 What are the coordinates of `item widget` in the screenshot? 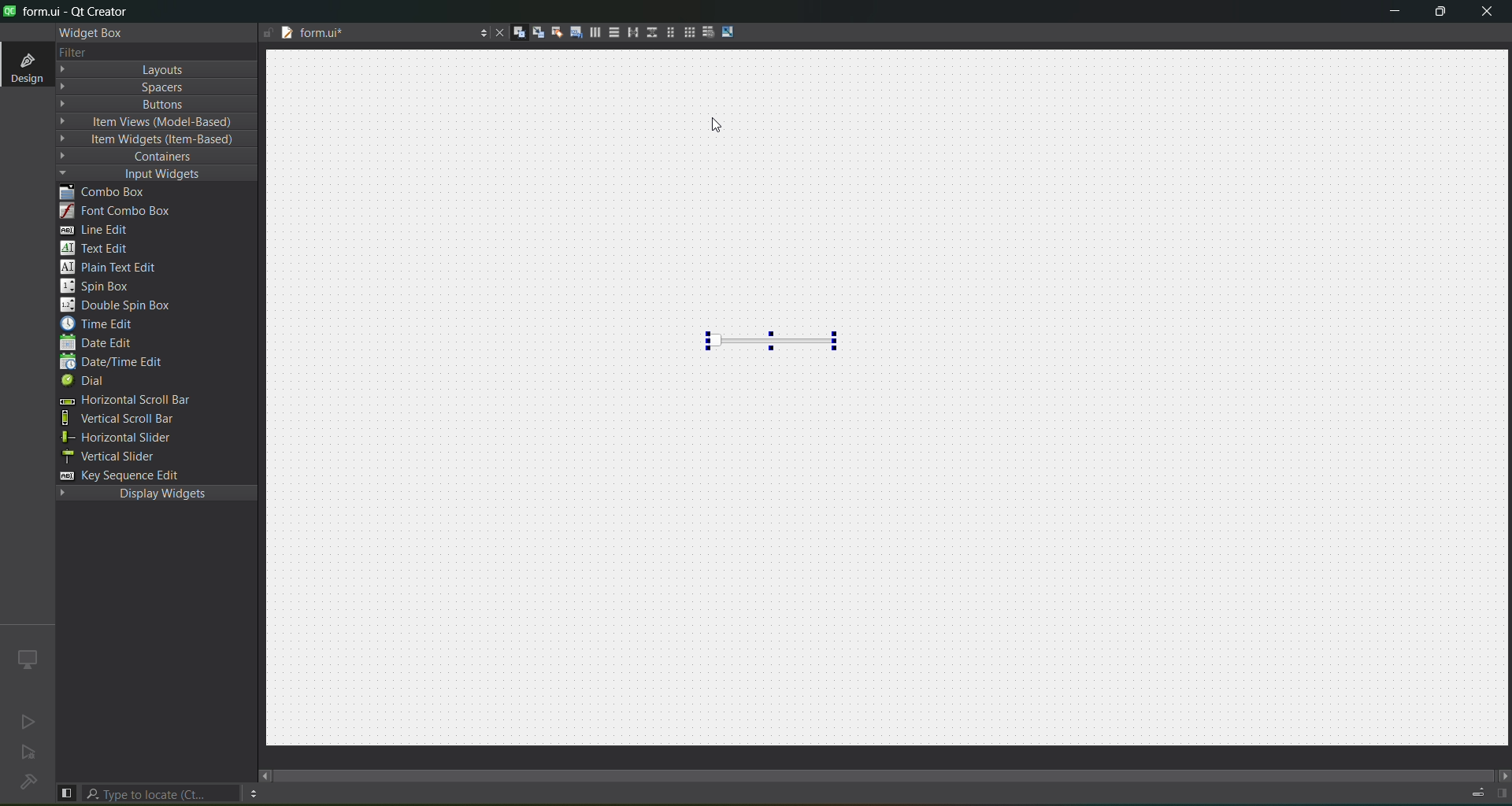 It's located at (150, 139).